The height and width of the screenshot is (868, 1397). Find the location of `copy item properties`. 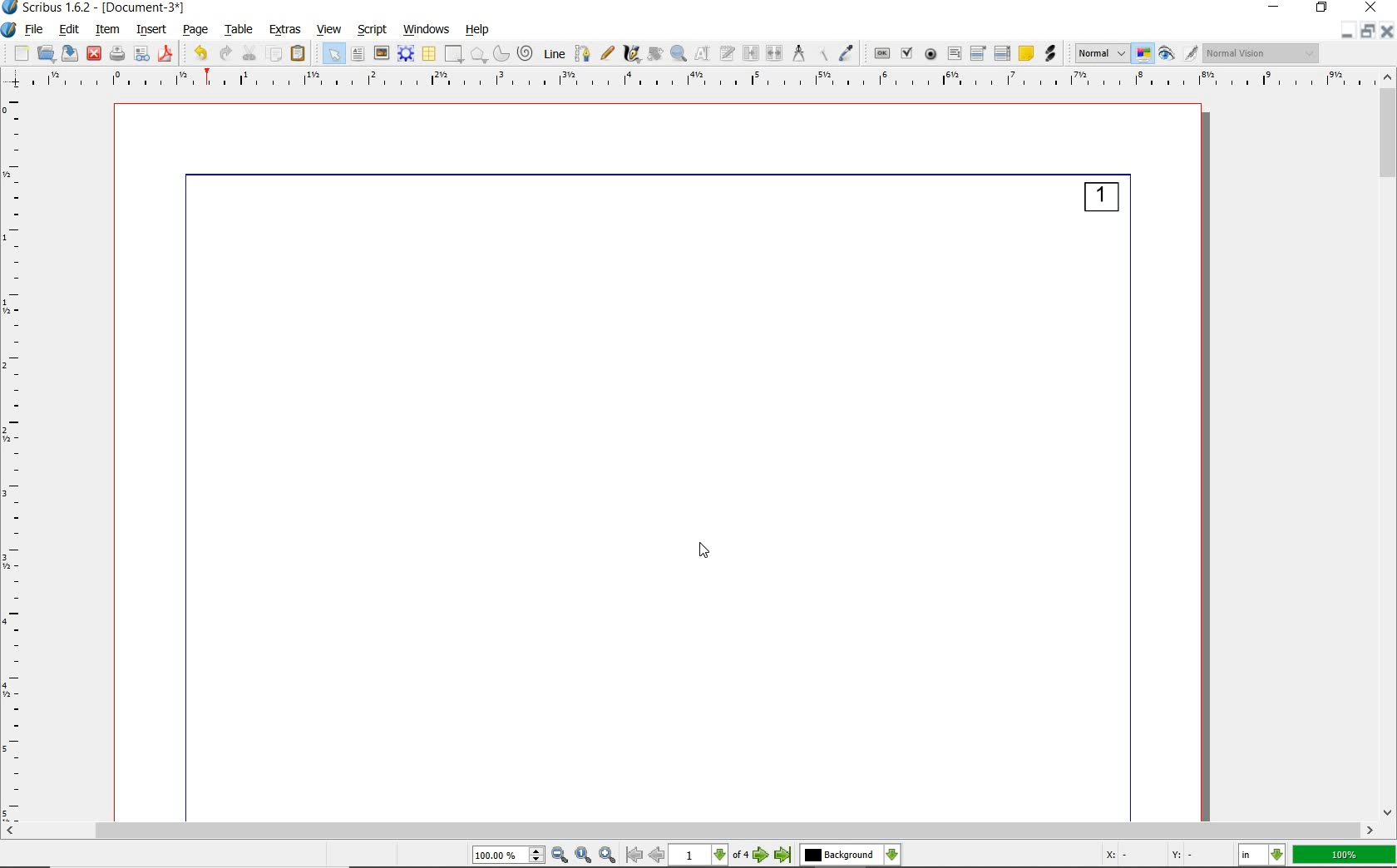

copy item properties is located at coordinates (822, 54).